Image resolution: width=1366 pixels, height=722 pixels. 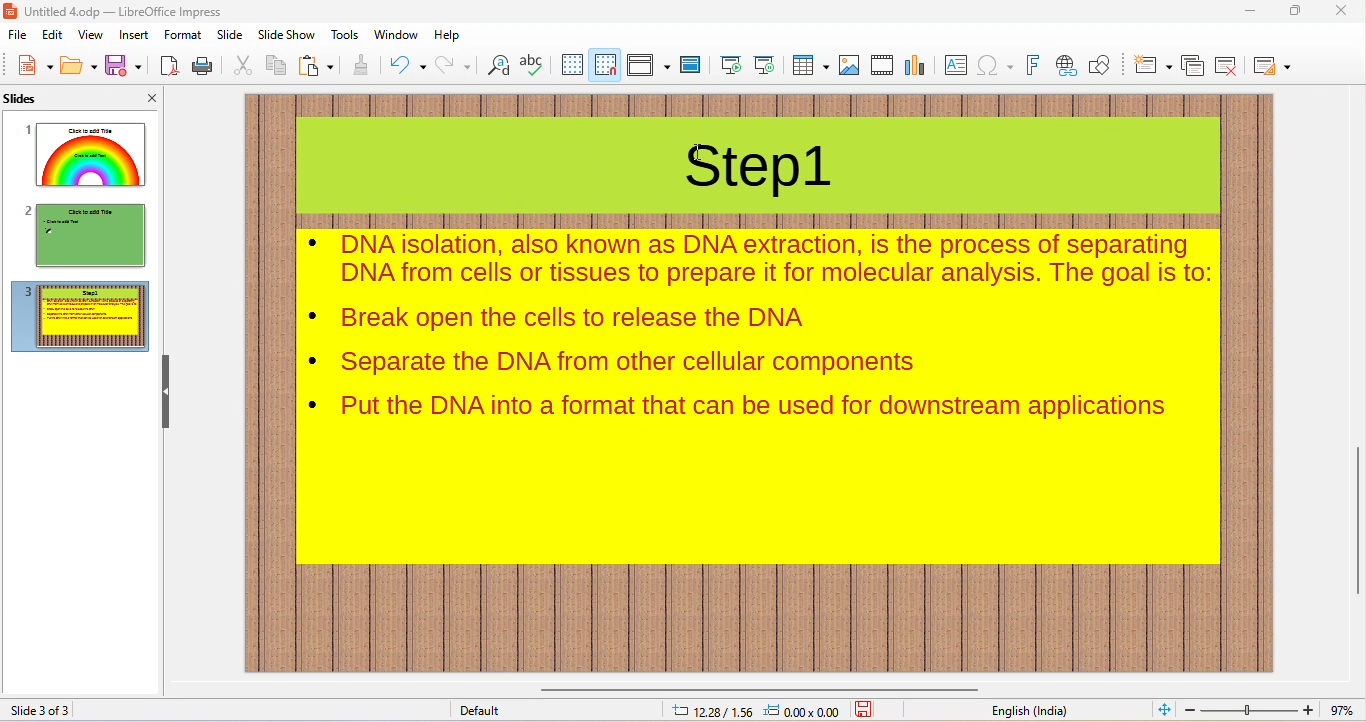 What do you see at coordinates (287, 35) in the screenshot?
I see `slideshow` at bounding box center [287, 35].